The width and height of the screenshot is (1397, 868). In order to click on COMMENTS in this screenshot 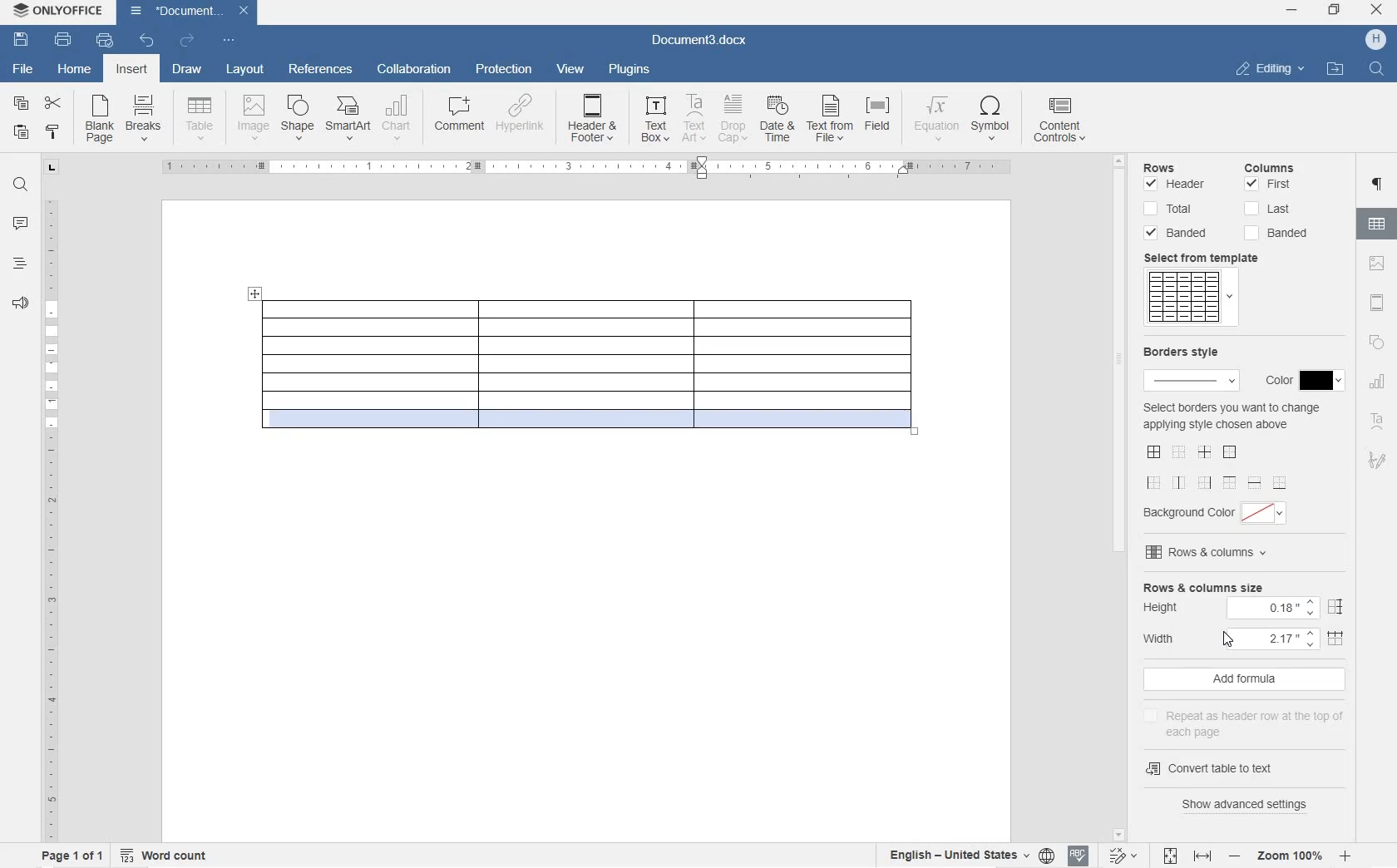, I will do `click(22, 224)`.